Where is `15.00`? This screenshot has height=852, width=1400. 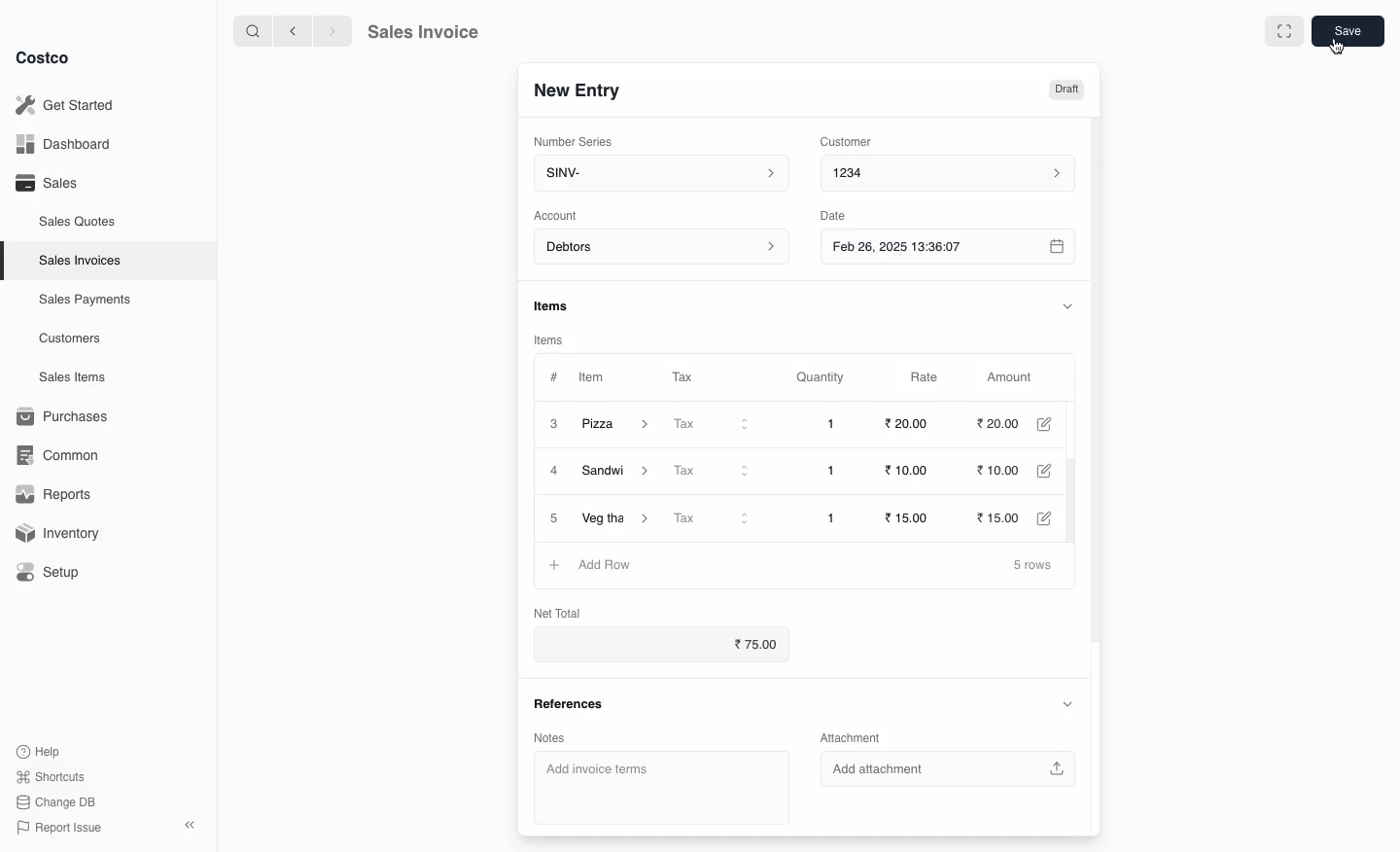 15.00 is located at coordinates (1008, 515).